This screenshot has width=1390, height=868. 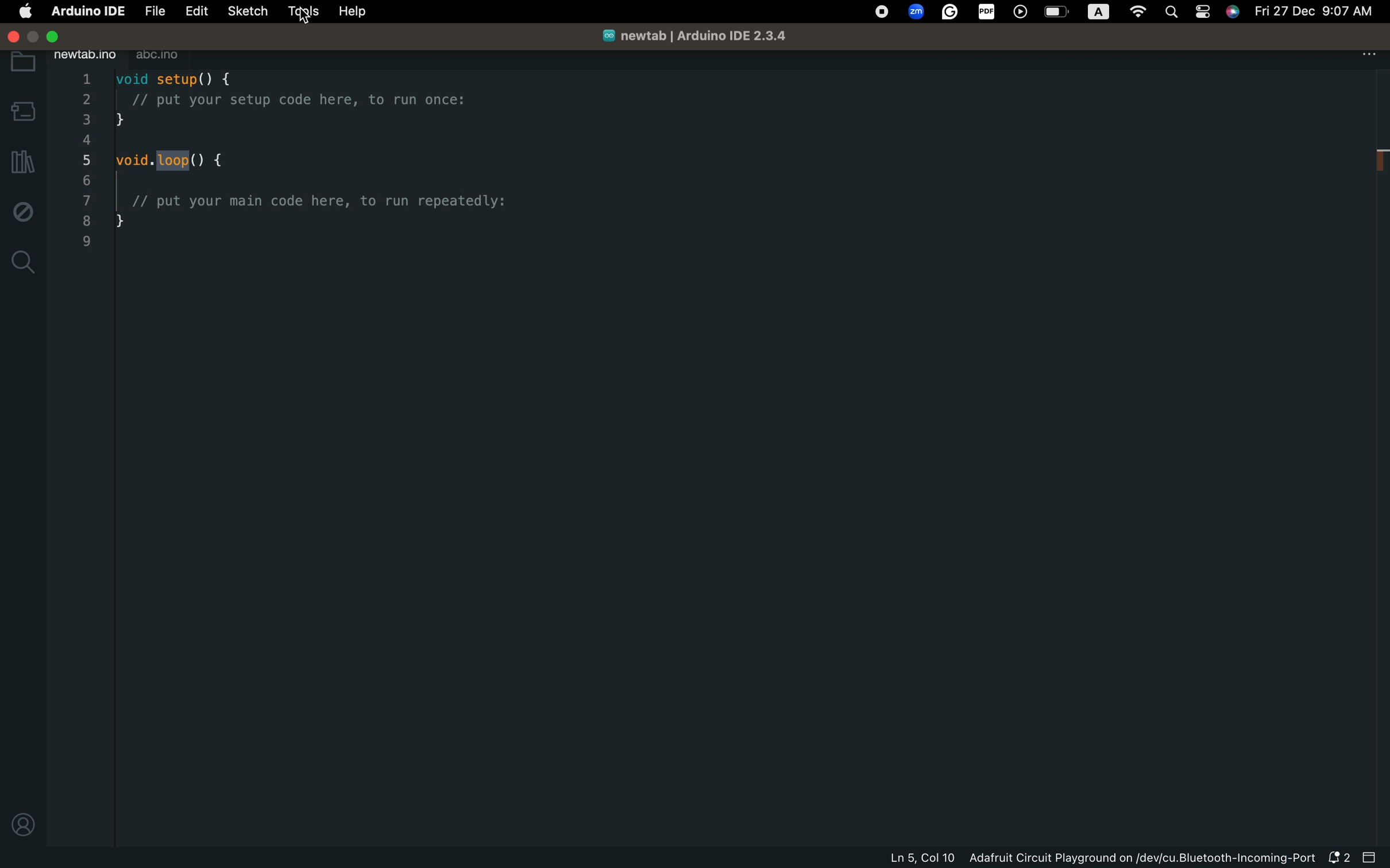 What do you see at coordinates (86, 180) in the screenshot?
I see `6` at bounding box center [86, 180].